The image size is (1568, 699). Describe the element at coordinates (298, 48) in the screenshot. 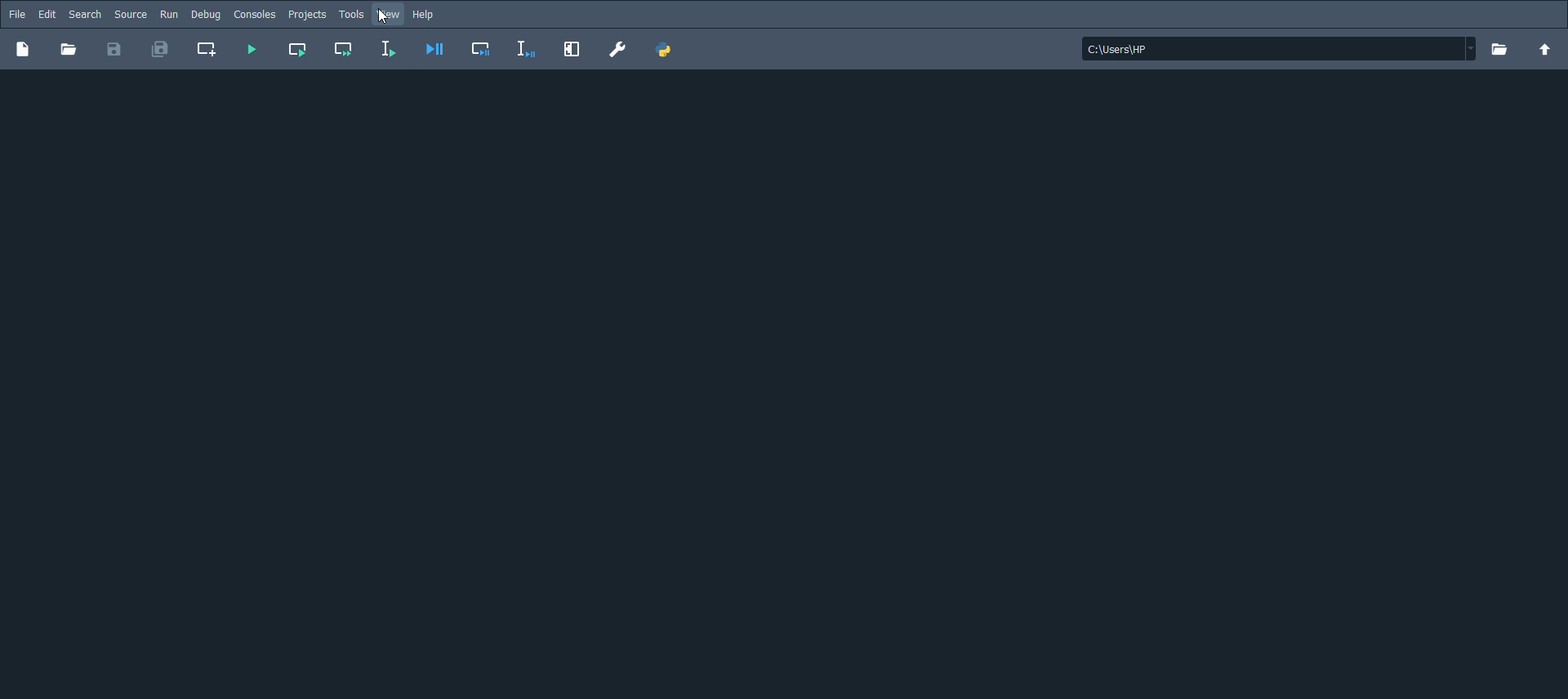

I see `Run current cell` at that location.